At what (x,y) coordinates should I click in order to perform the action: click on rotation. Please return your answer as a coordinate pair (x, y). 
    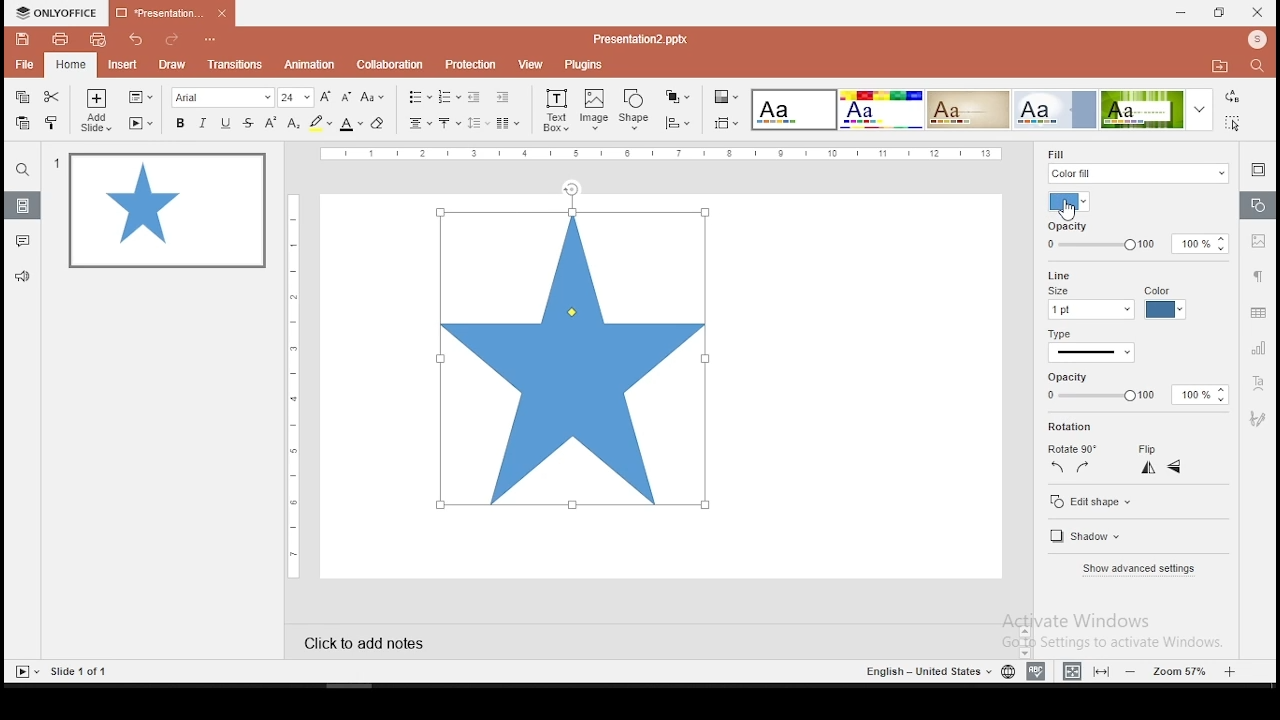
    Looking at the image, I should click on (1066, 427).